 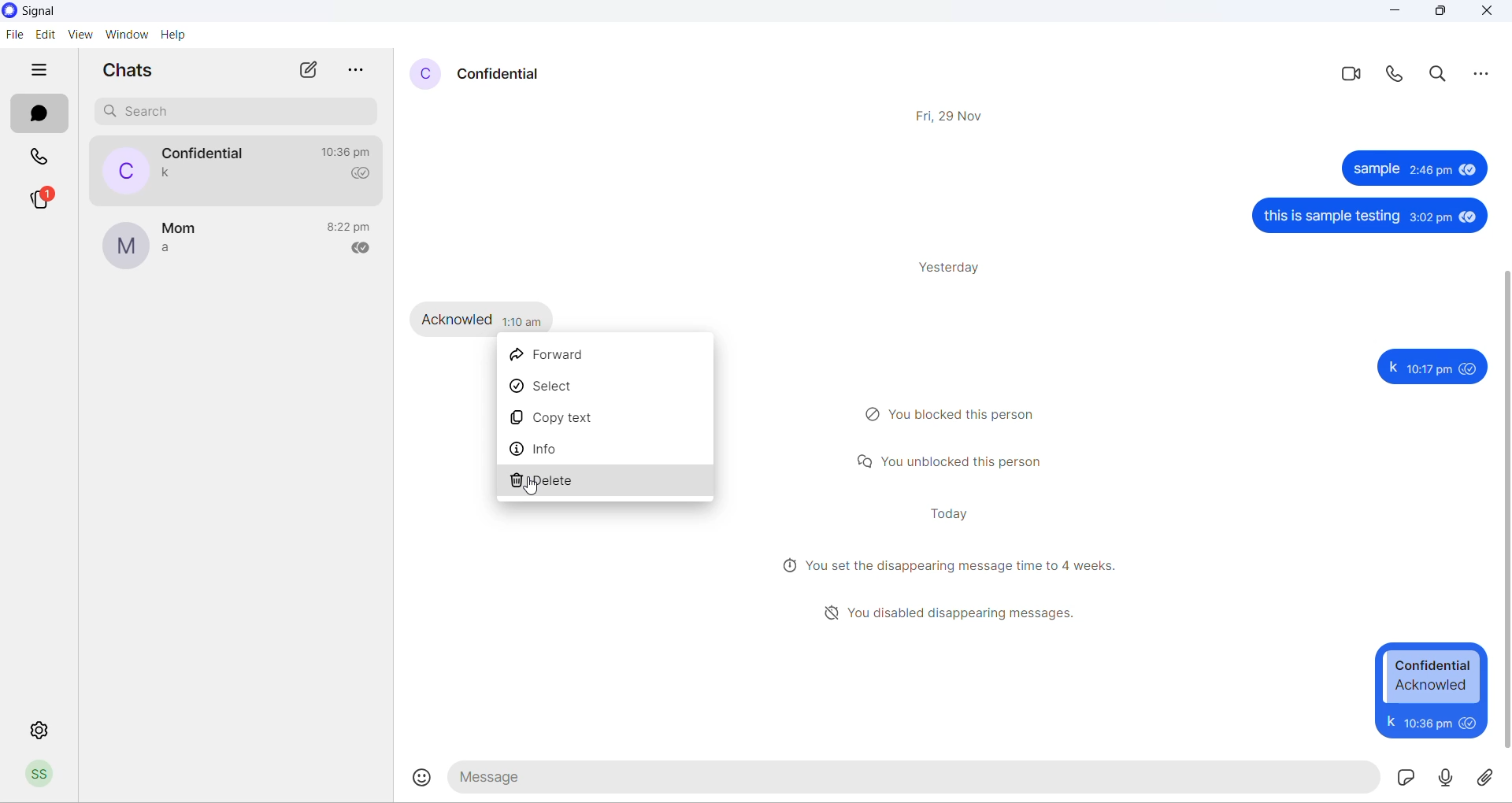 I want to click on 1:10 pm, so click(x=525, y=320).